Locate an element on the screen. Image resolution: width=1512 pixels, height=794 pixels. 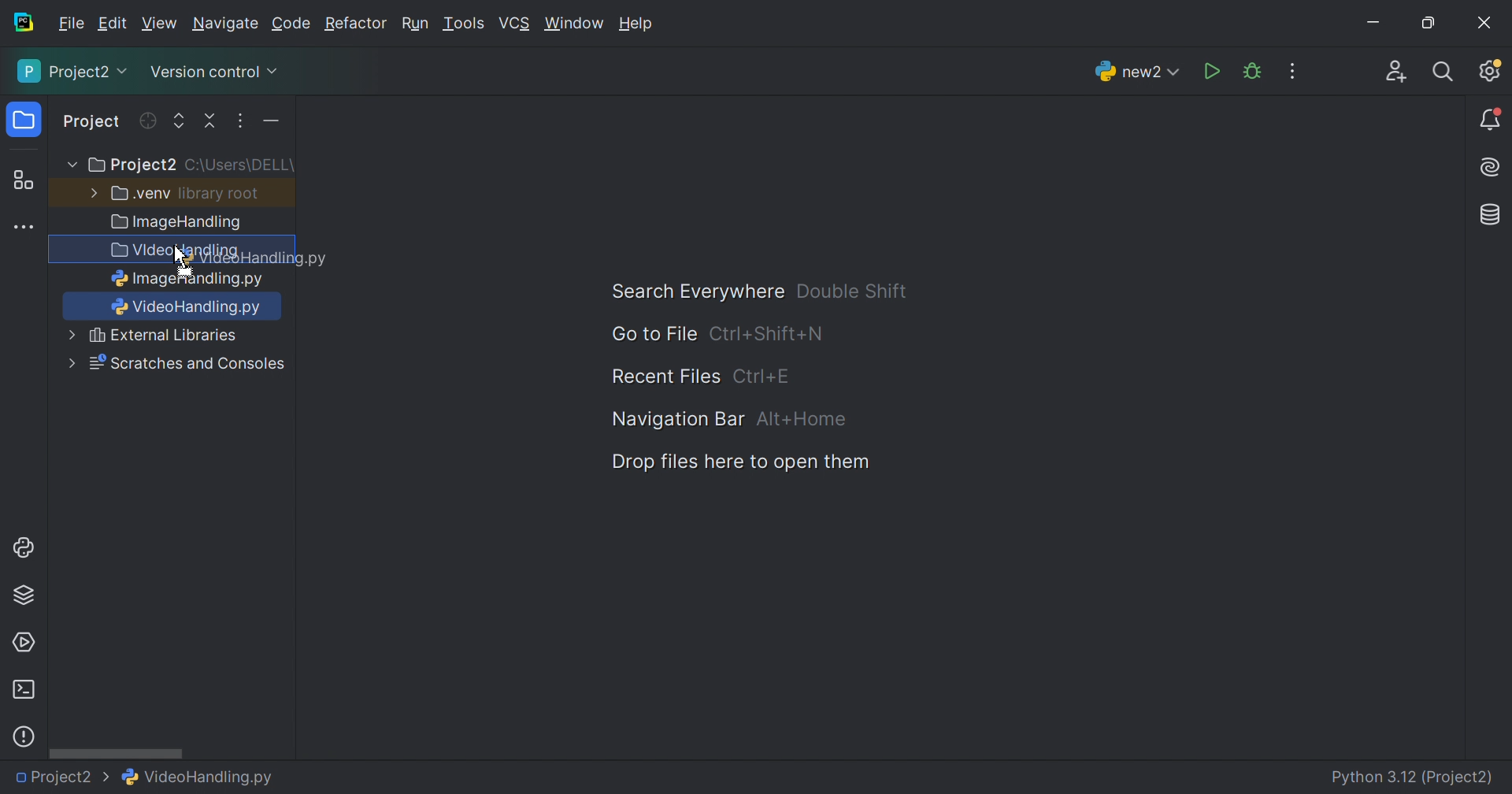
Python 3.12 (Project2) is located at coordinates (1414, 778).